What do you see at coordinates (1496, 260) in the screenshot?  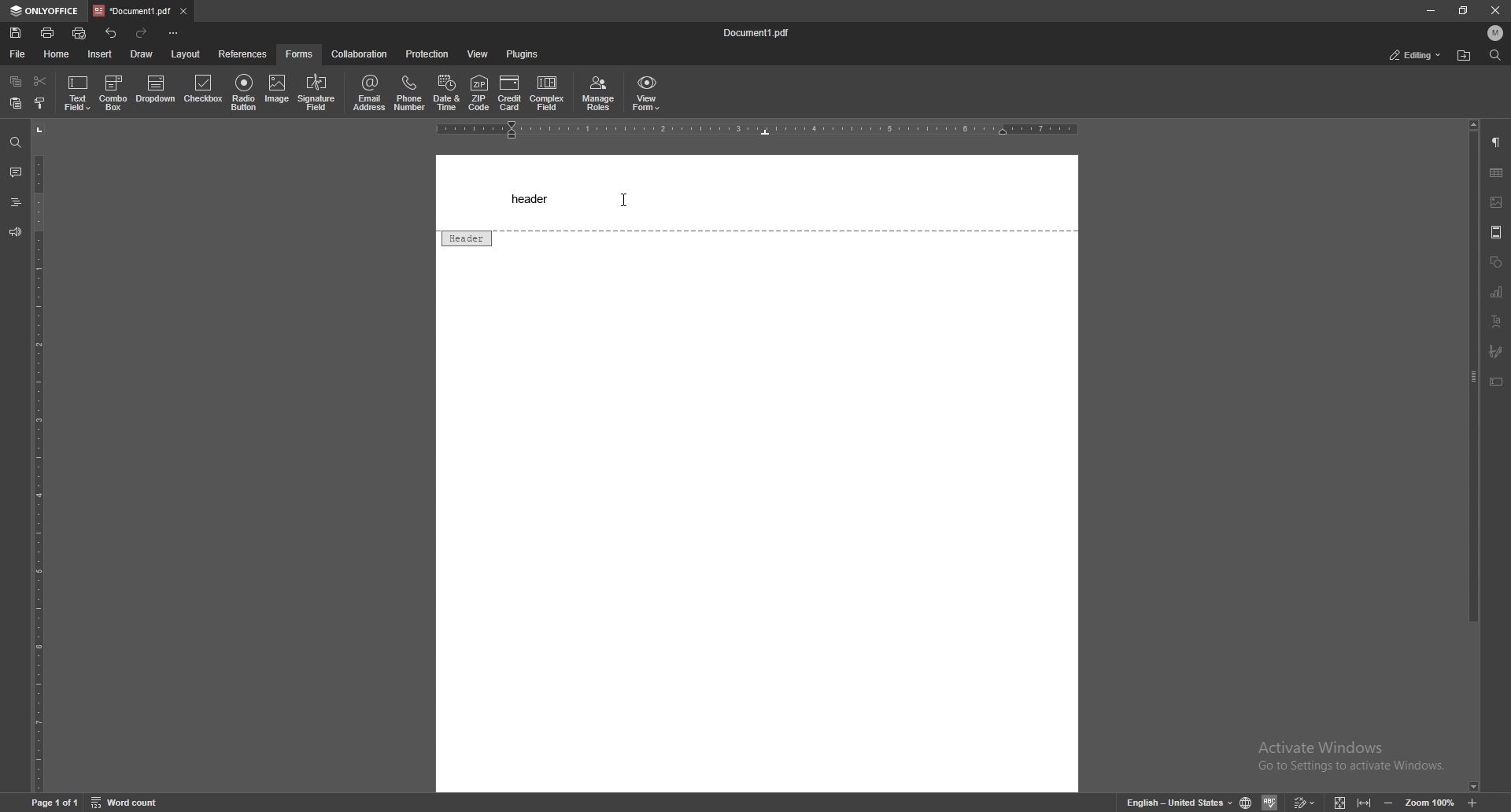 I see `shapes` at bounding box center [1496, 260].